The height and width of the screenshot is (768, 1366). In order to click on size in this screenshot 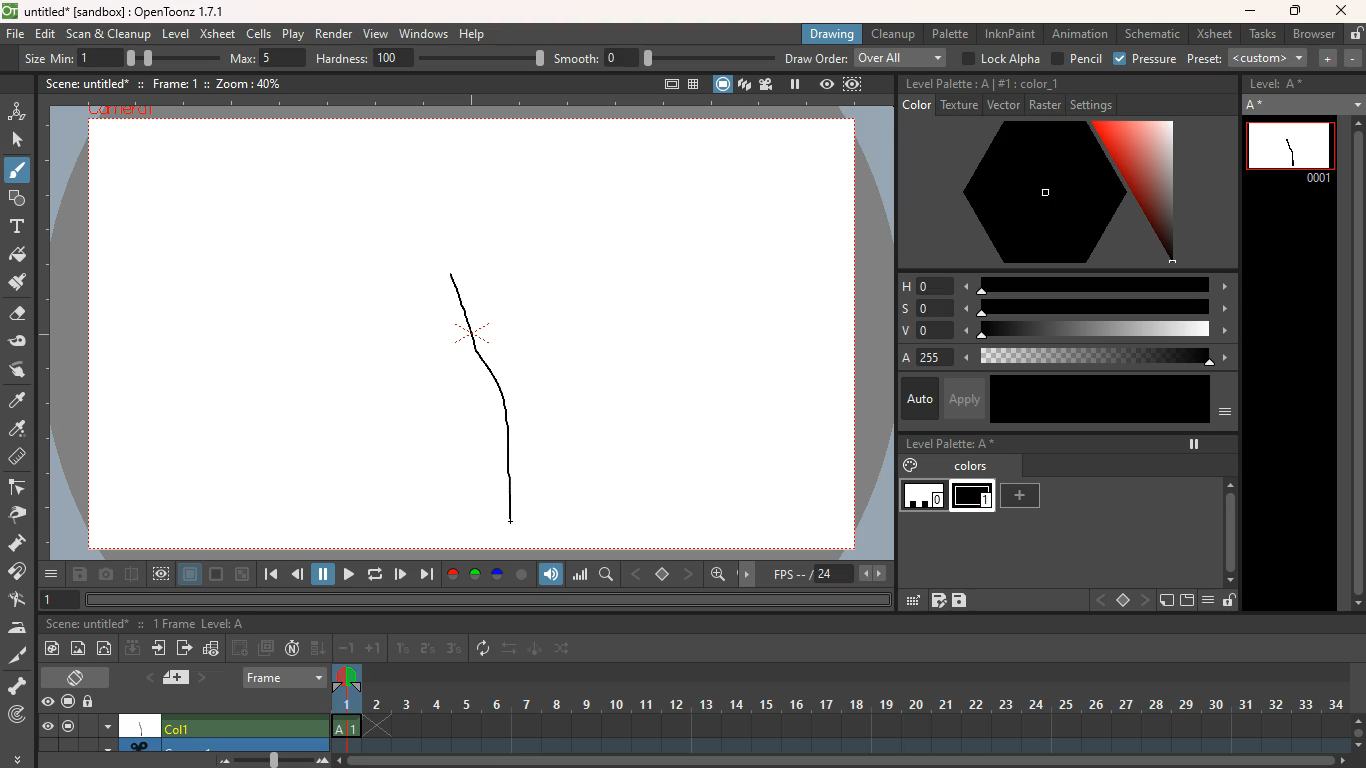, I will do `click(165, 57)`.